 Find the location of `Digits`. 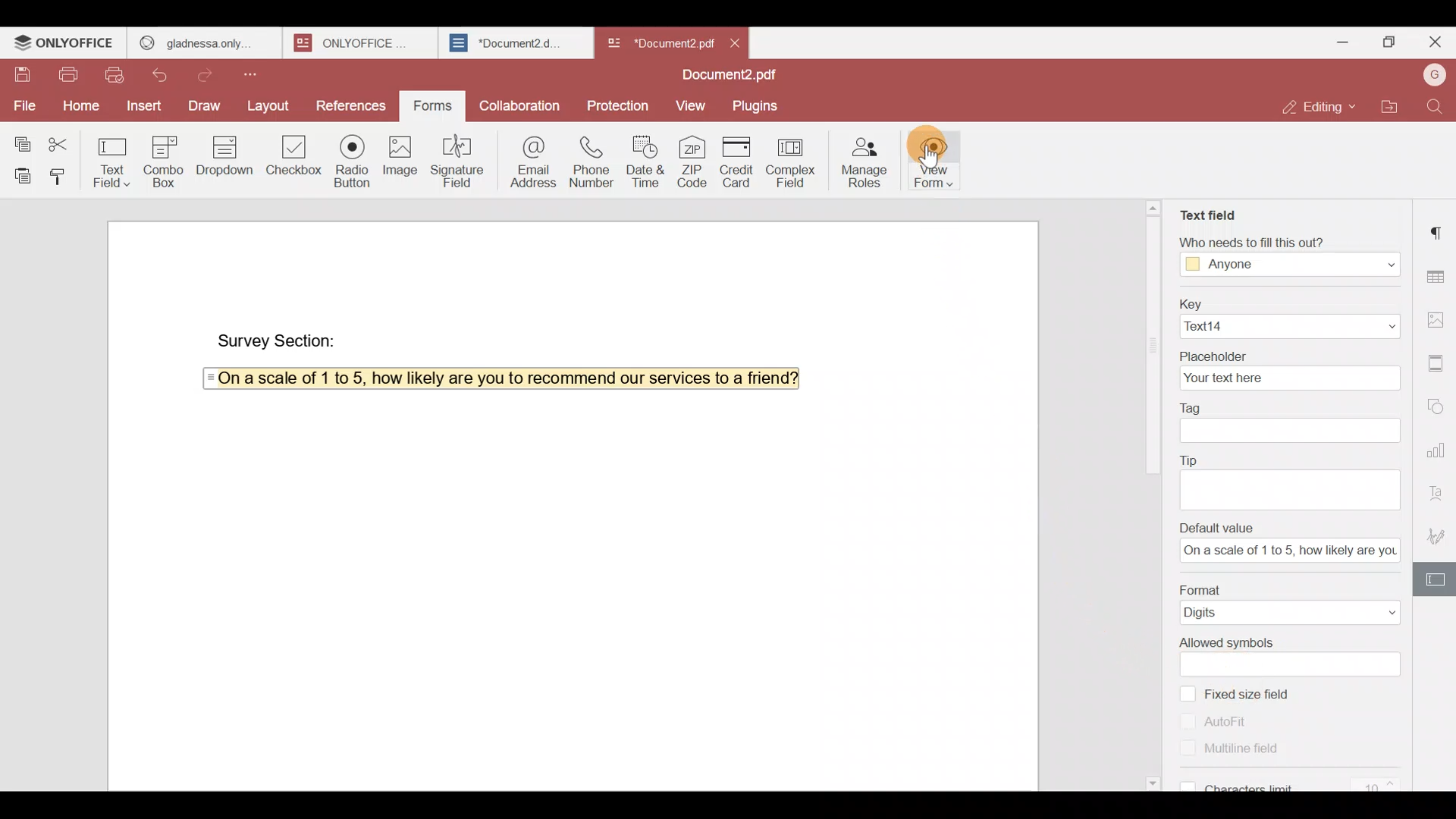

Digits is located at coordinates (1292, 613).